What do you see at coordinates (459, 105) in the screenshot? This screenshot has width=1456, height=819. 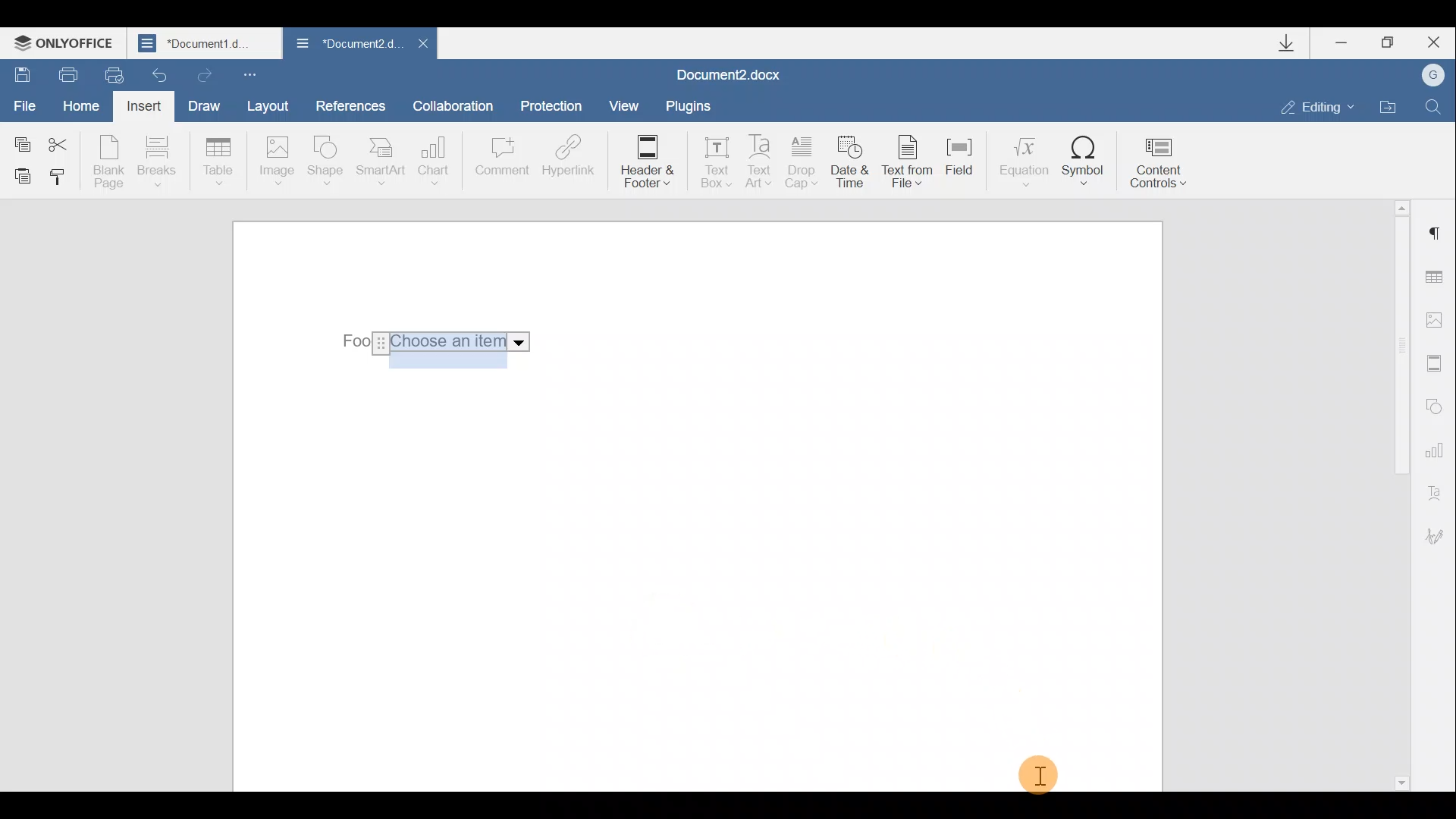 I see `Collaboration` at bounding box center [459, 105].